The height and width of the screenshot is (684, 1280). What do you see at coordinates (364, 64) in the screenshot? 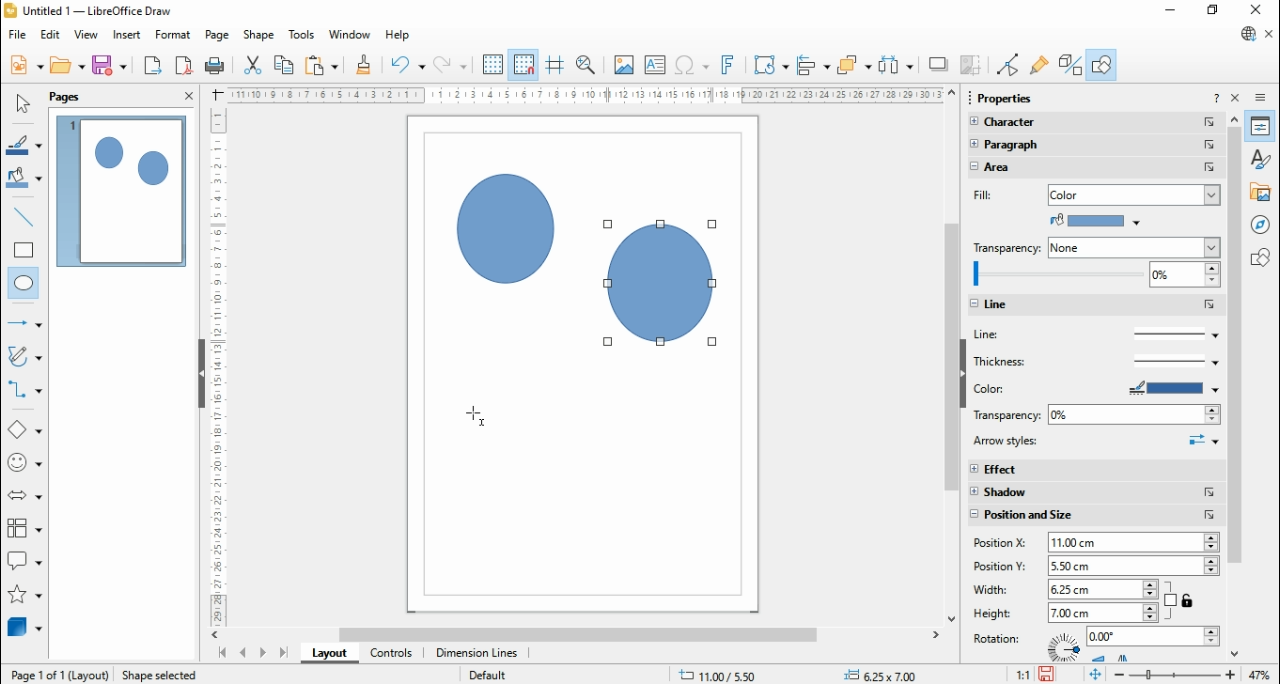
I see `clone formatting` at bounding box center [364, 64].